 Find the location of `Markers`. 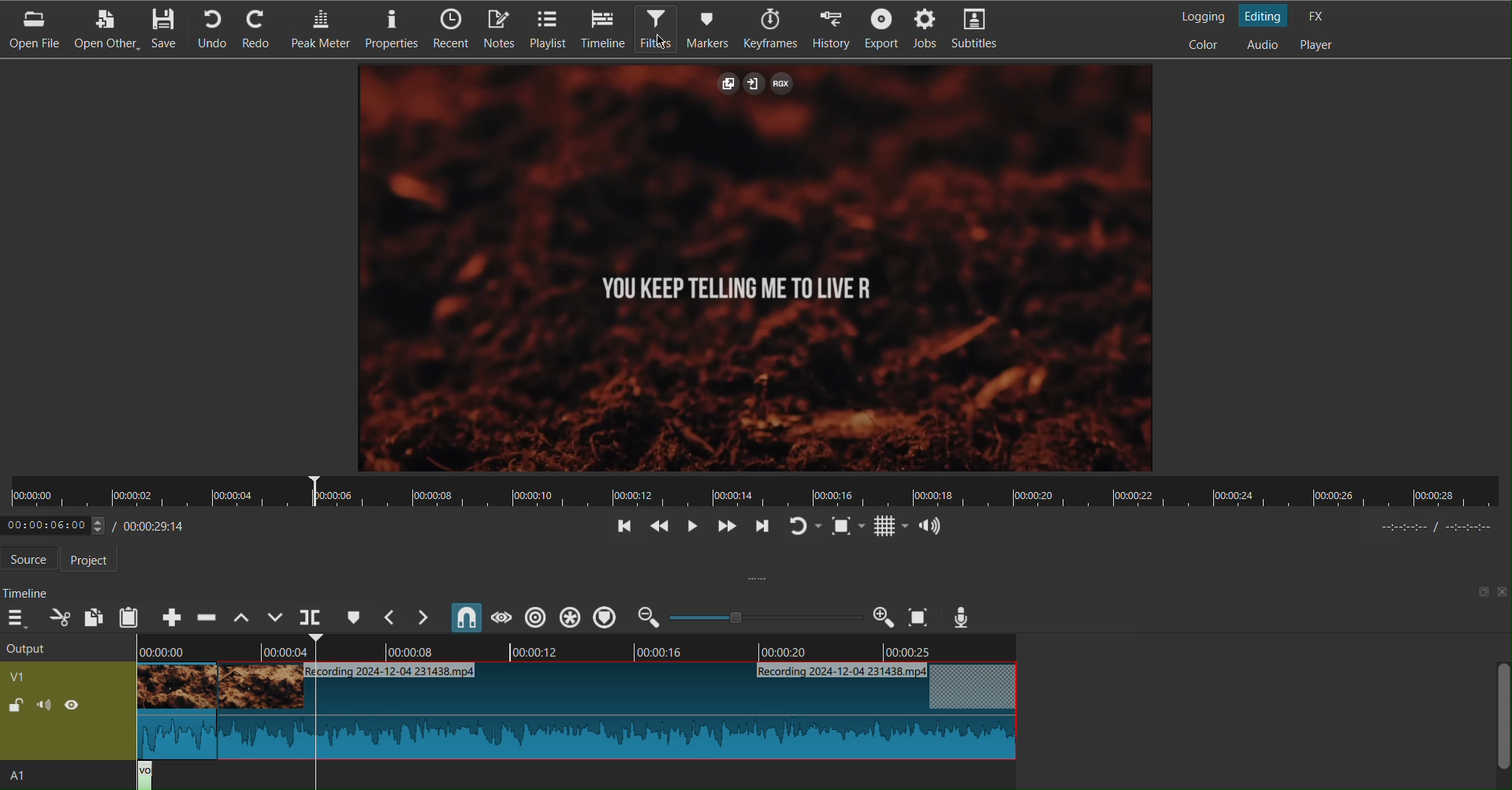

Markers is located at coordinates (713, 28).